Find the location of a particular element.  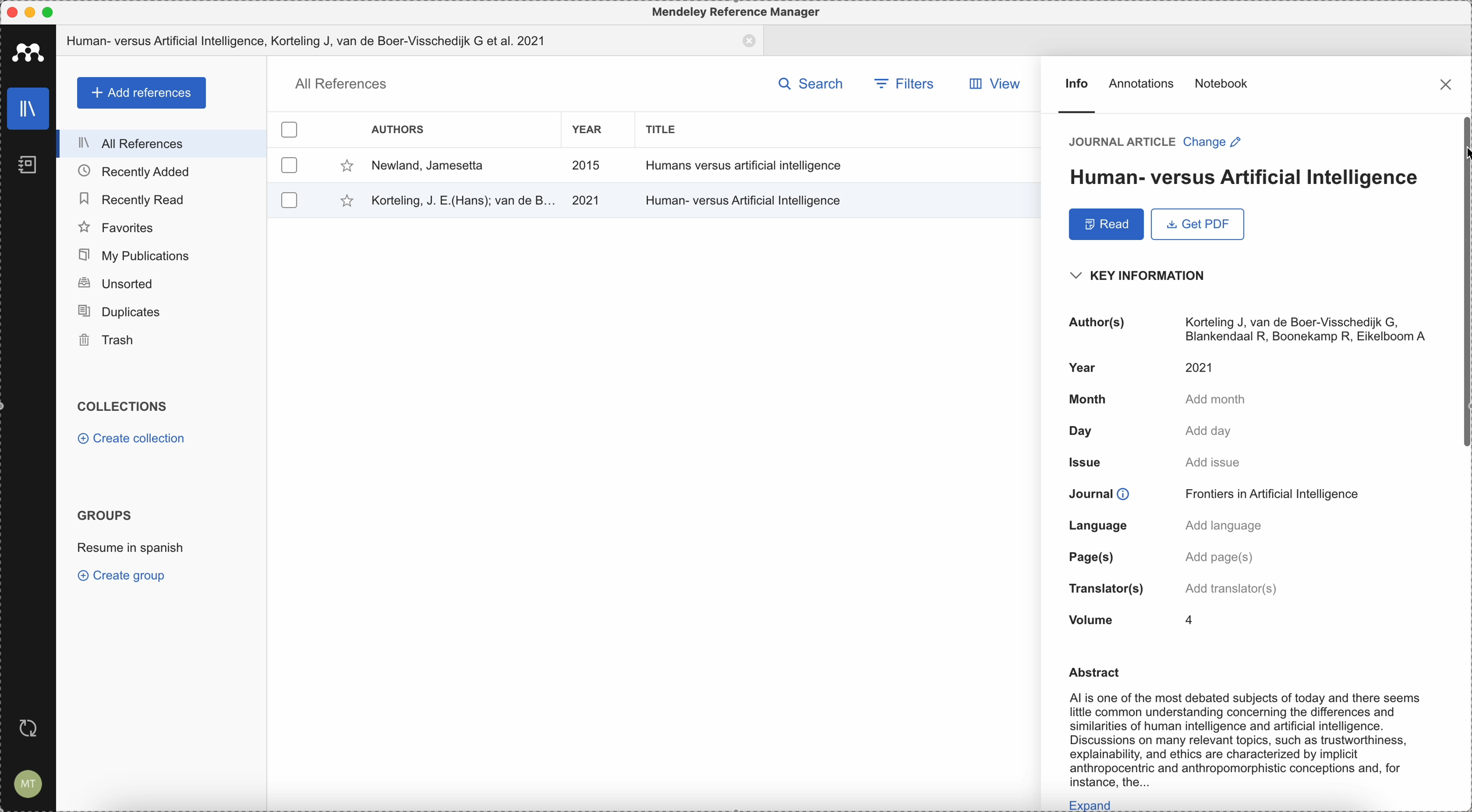

authors is located at coordinates (399, 129).